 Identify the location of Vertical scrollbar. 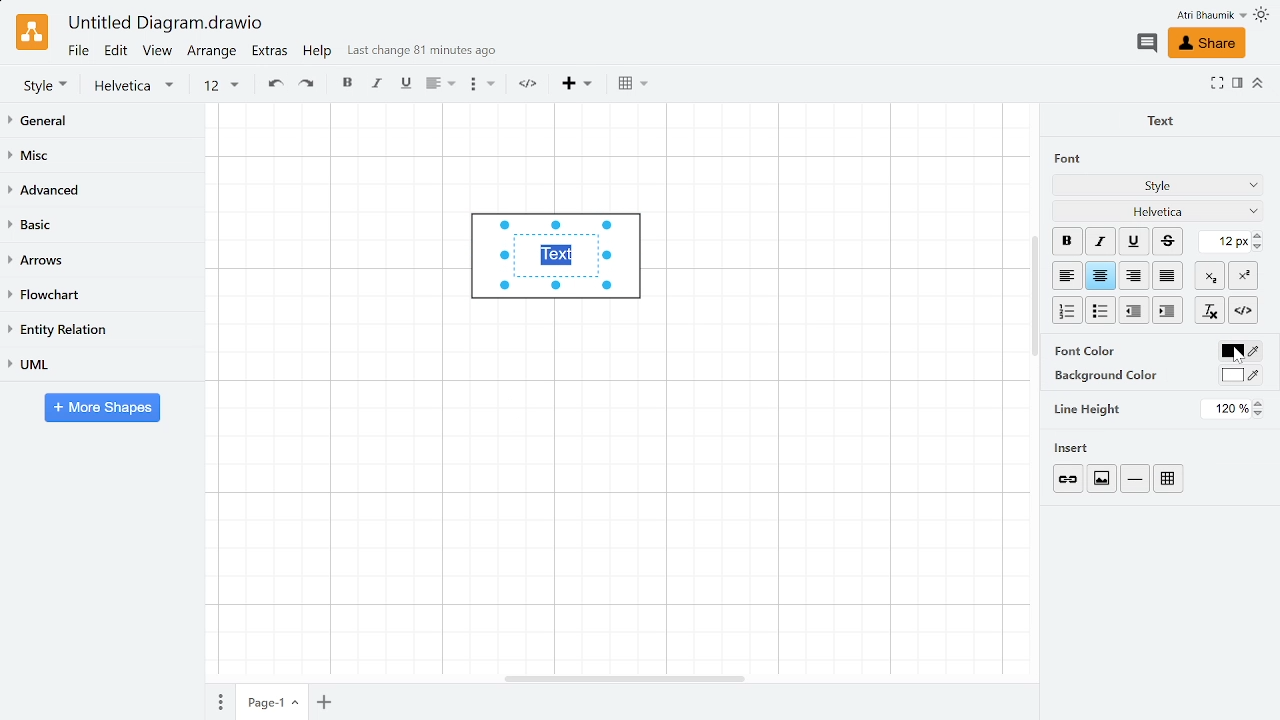
(1035, 299).